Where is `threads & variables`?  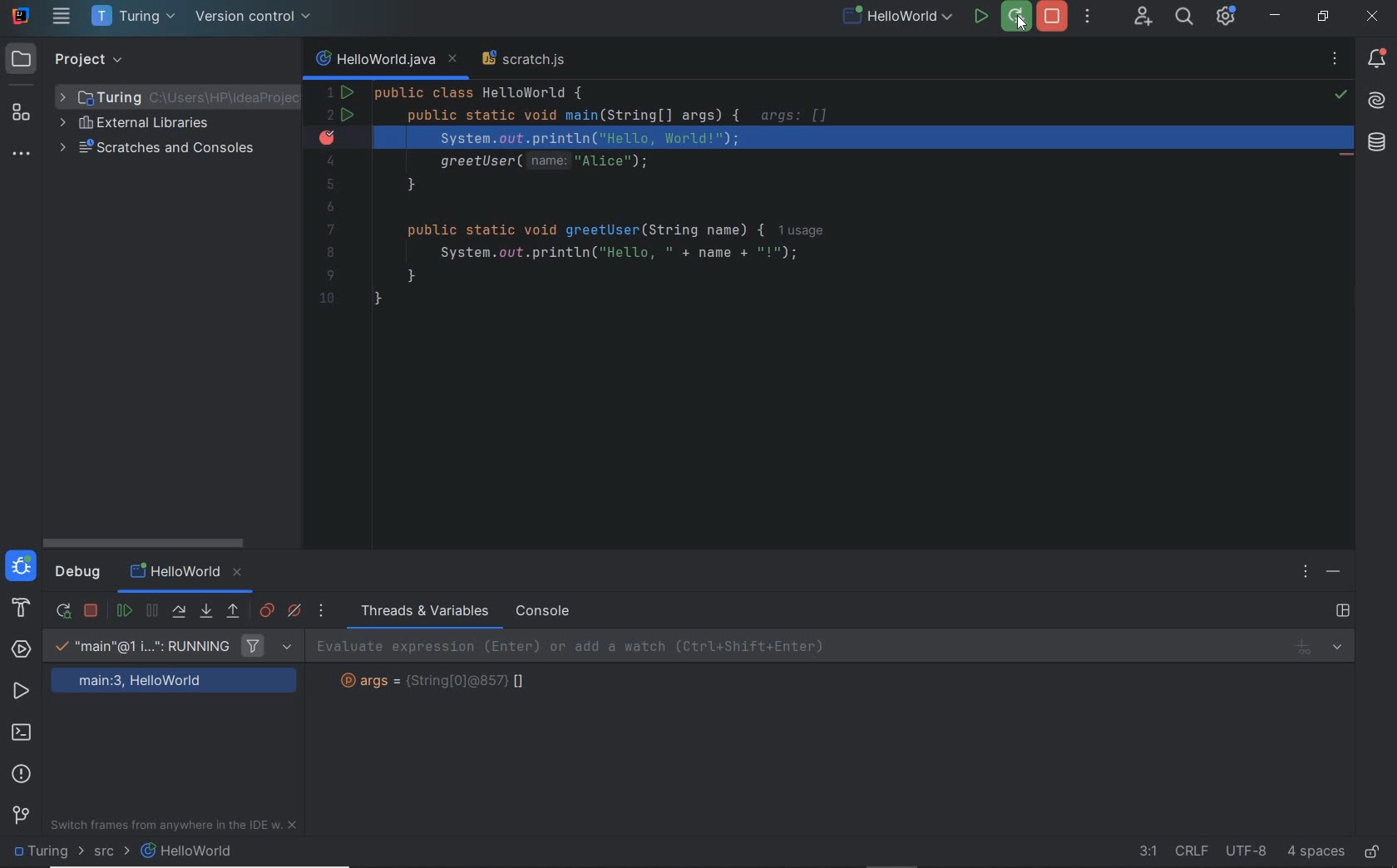
threads & variables is located at coordinates (422, 611).